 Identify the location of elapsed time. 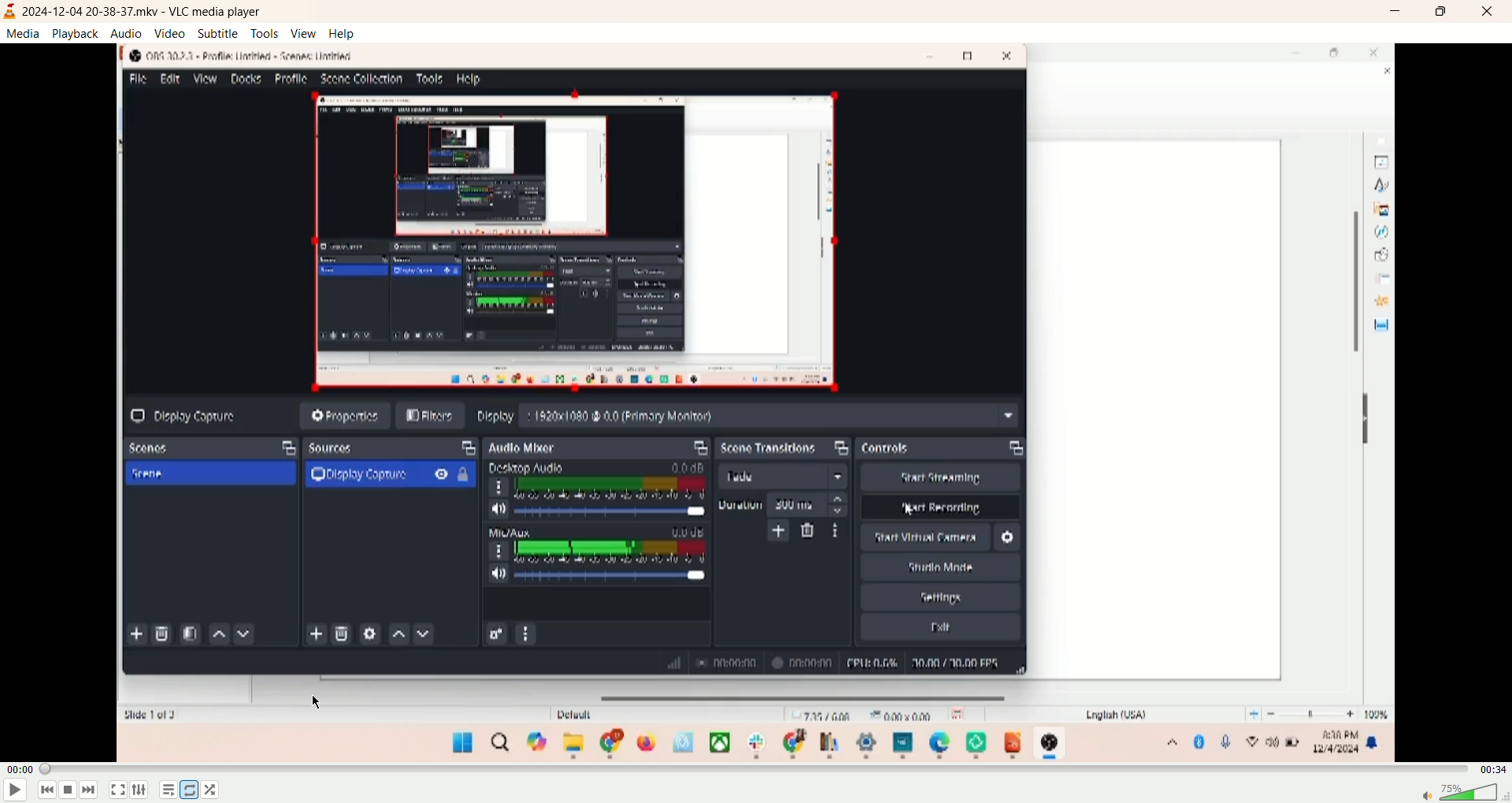
(20, 770).